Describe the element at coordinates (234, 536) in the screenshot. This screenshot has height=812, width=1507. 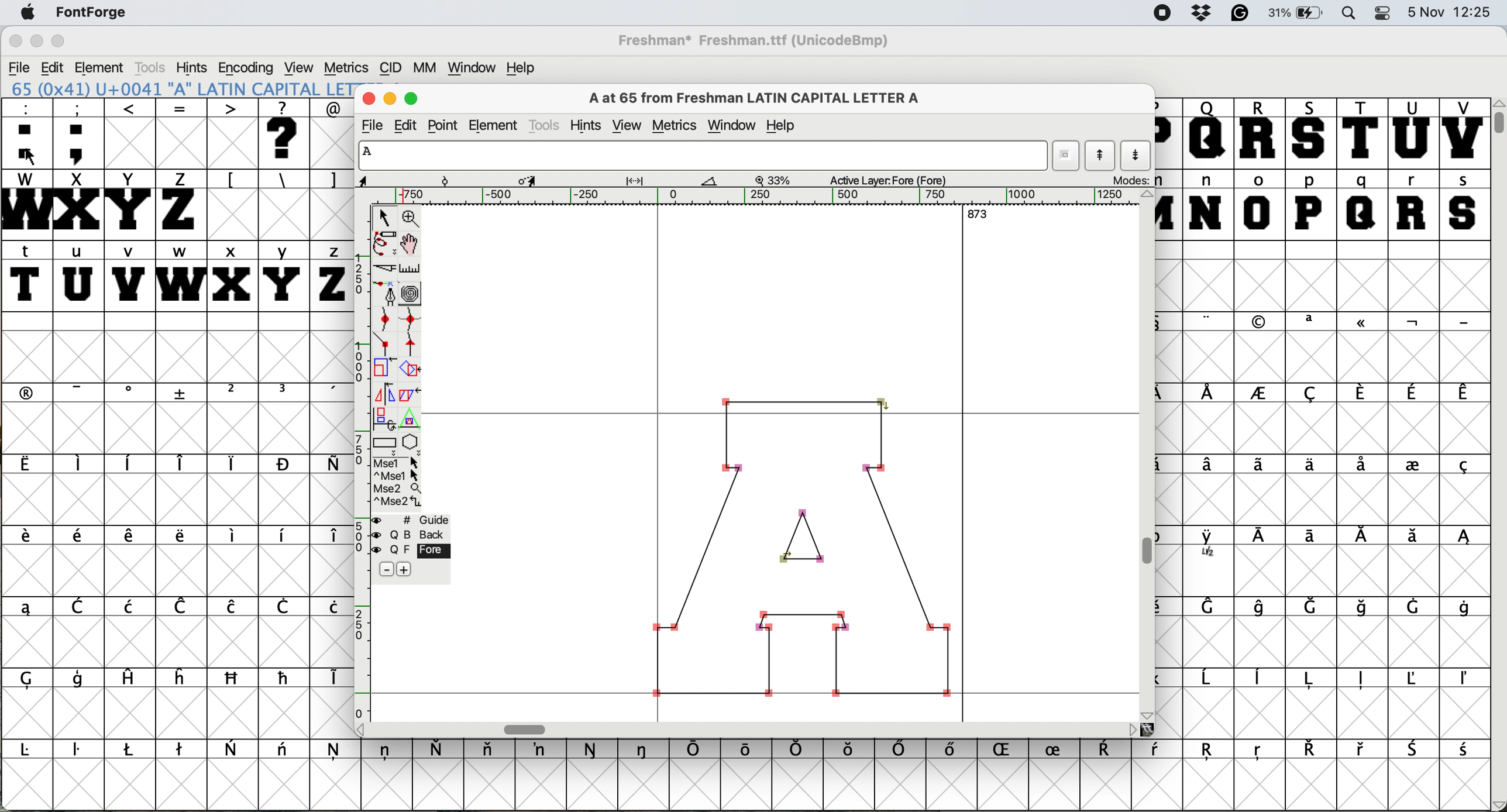
I see `symbolo` at that location.